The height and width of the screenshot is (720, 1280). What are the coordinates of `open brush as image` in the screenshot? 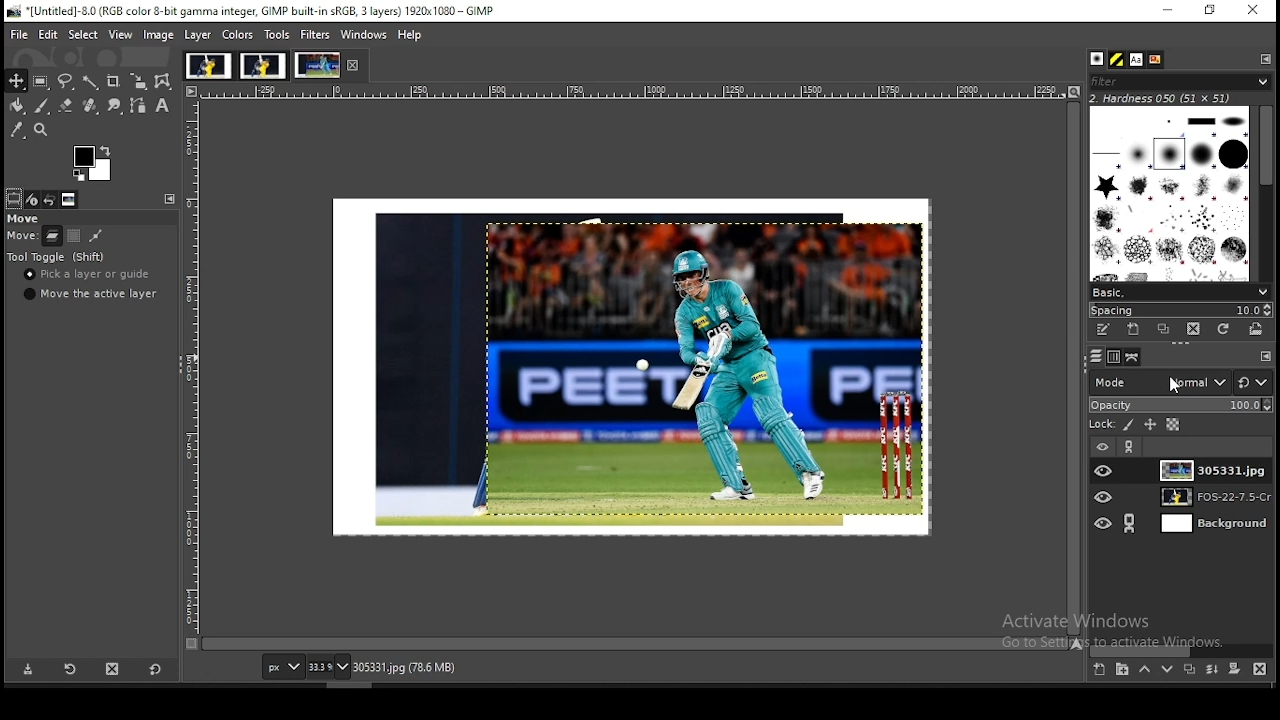 It's located at (1255, 329).